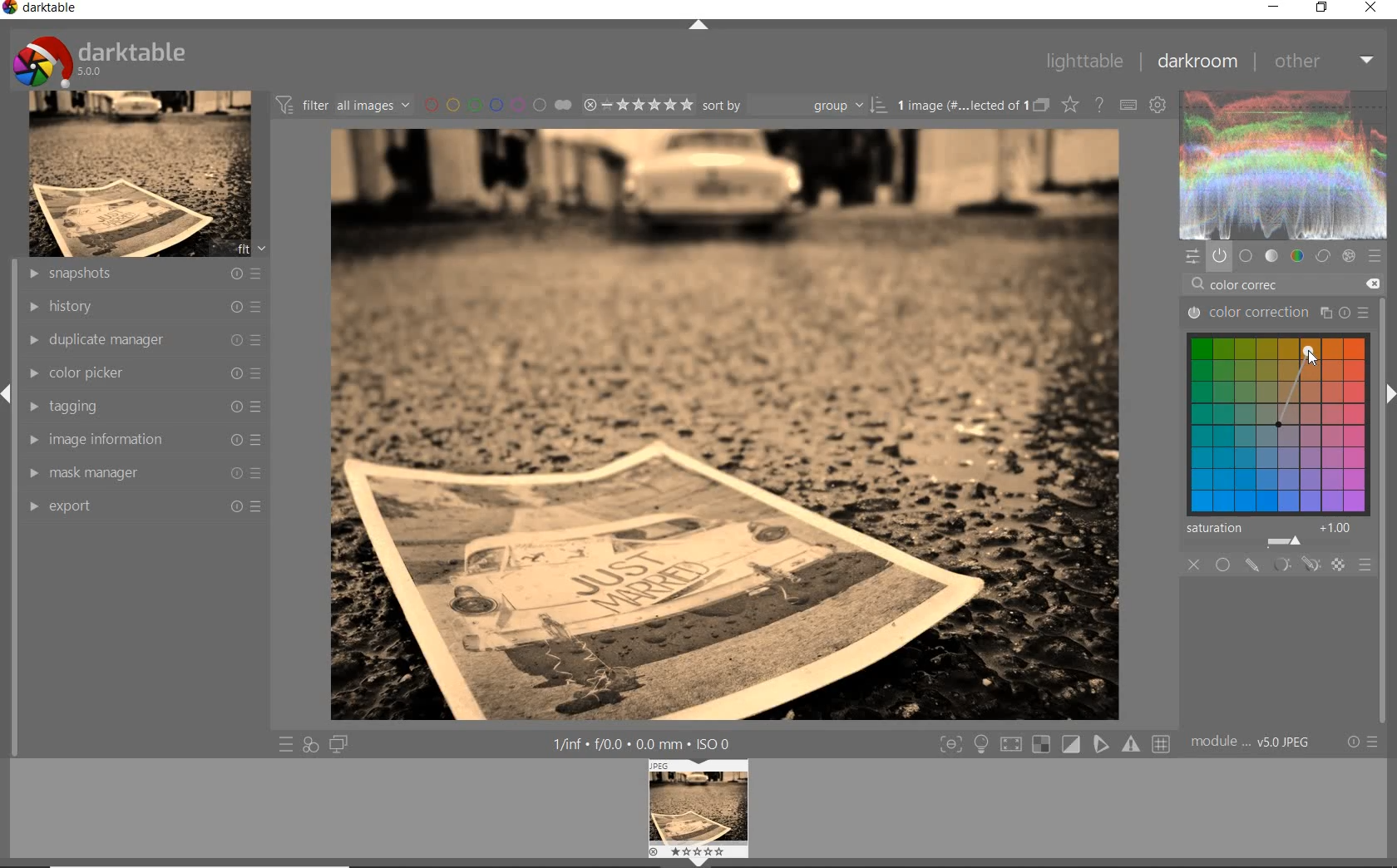  What do you see at coordinates (144, 307) in the screenshot?
I see `history` at bounding box center [144, 307].